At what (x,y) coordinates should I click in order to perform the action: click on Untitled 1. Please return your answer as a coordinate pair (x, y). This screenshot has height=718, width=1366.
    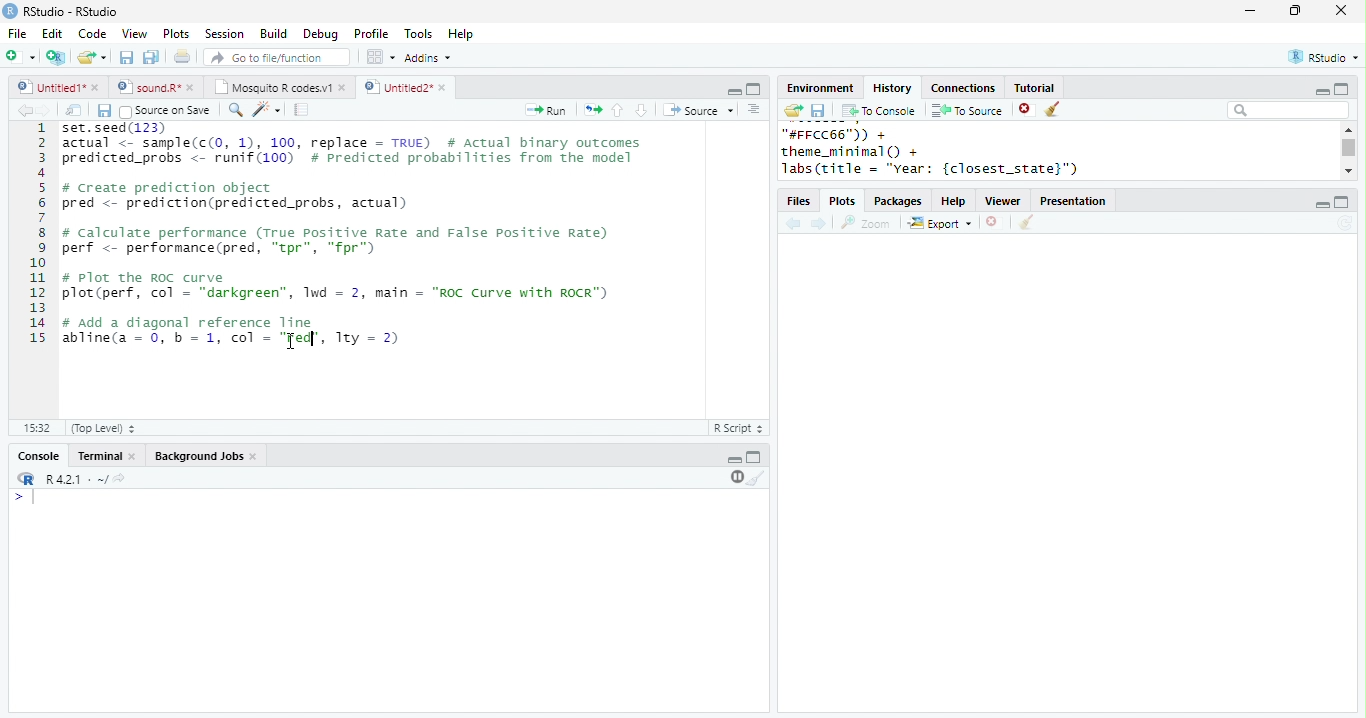
    Looking at the image, I should click on (48, 86).